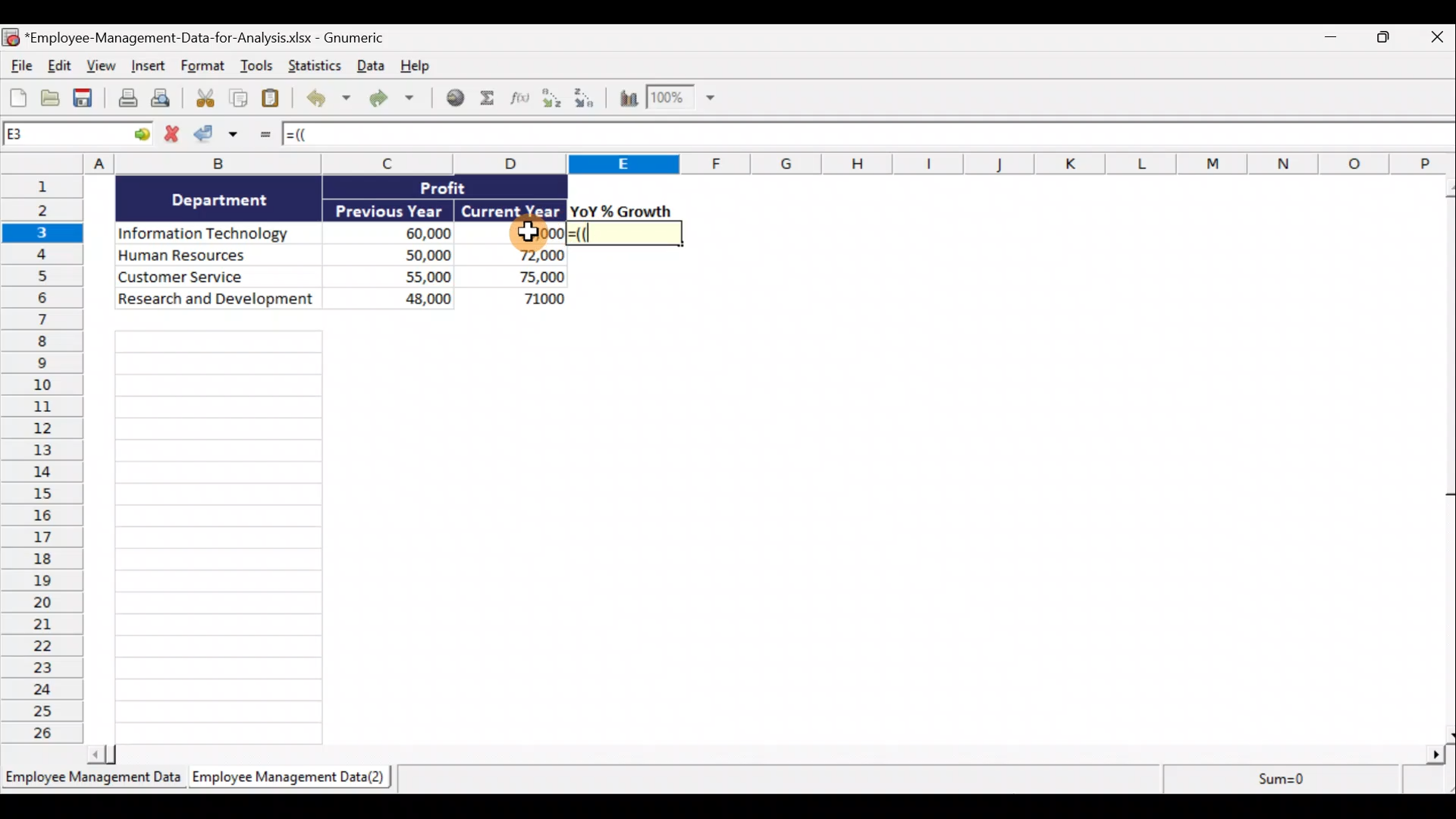  What do you see at coordinates (126, 100) in the screenshot?
I see `Print the current file` at bounding box center [126, 100].